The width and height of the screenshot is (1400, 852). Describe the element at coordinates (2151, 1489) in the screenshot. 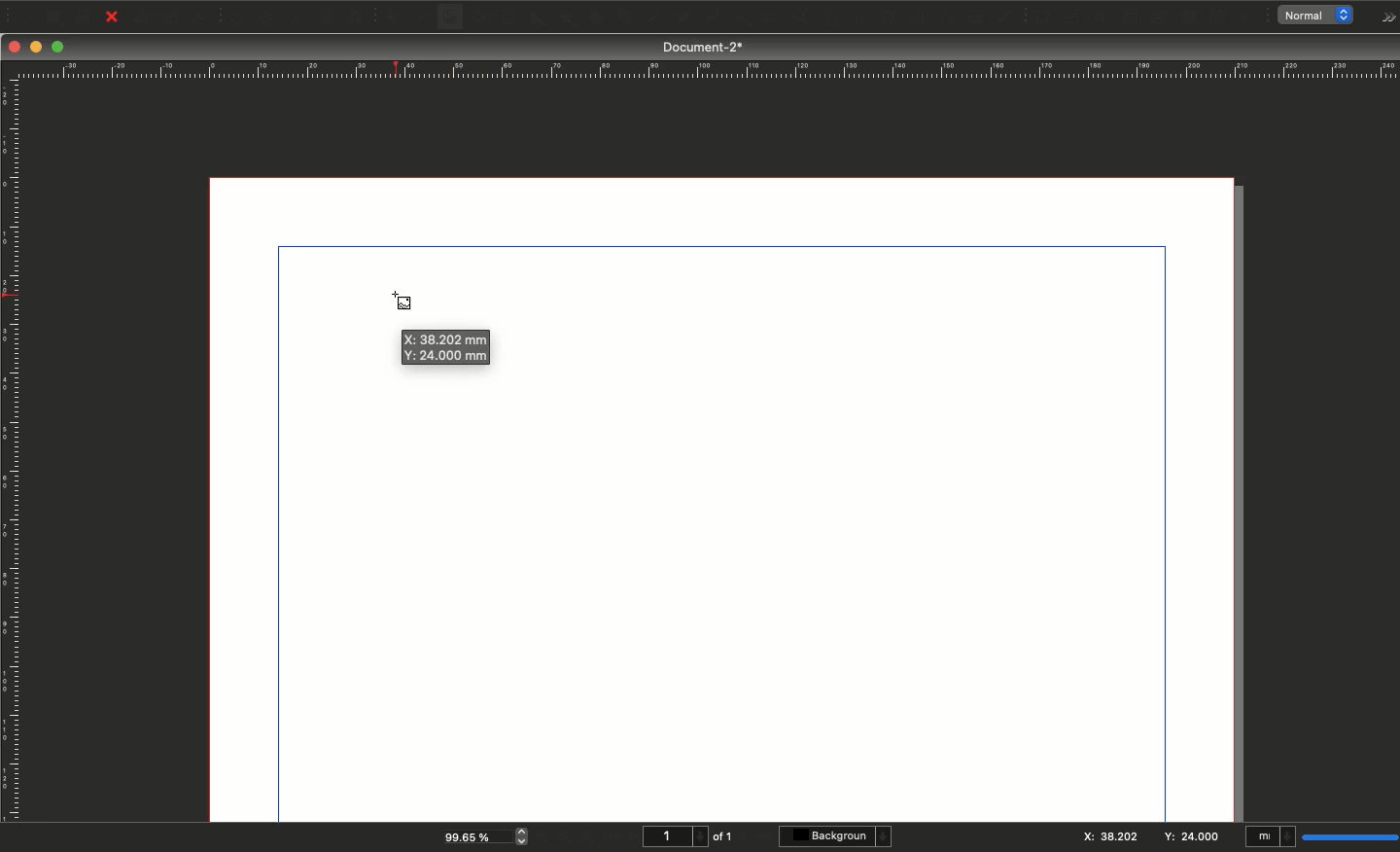

I see `38.202` at that location.